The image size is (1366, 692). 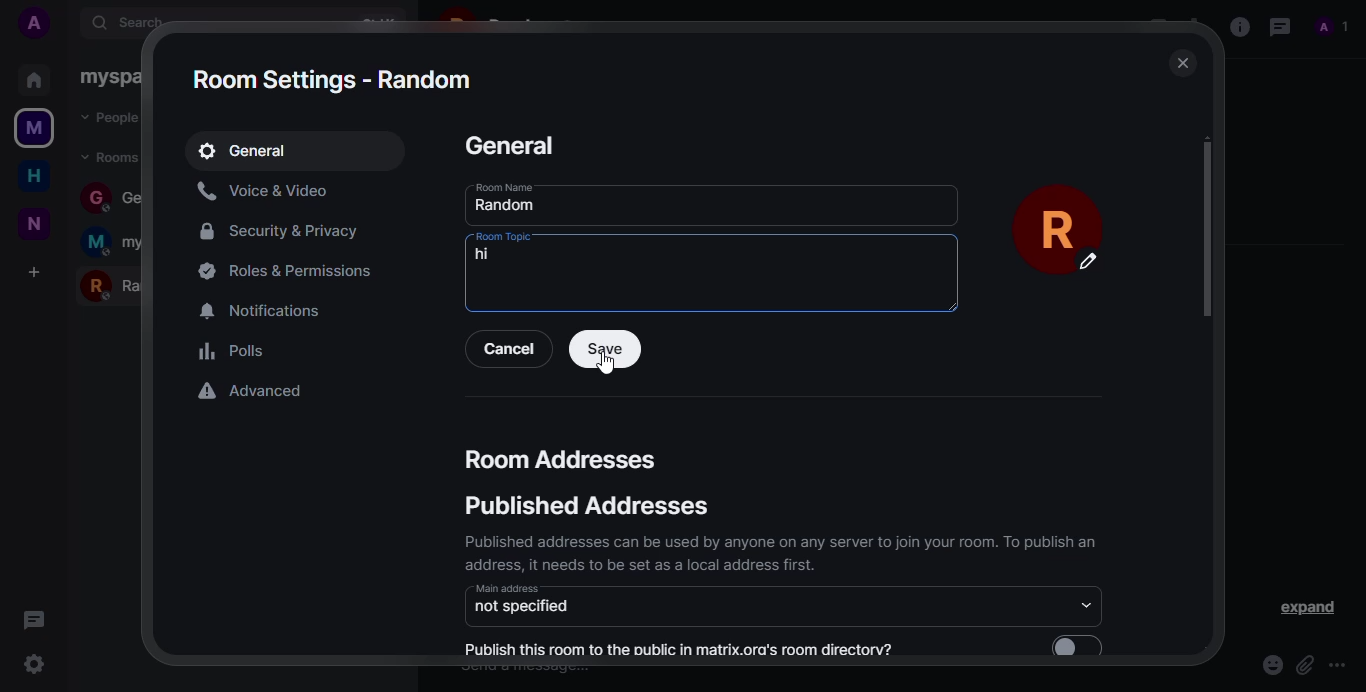 What do you see at coordinates (772, 557) in the screenshot?
I see `Published addresses can be used by anyone on any server to join your room. 1o publish an
address, it needs to be set as a local address first.` at bounding box center [772, 557].